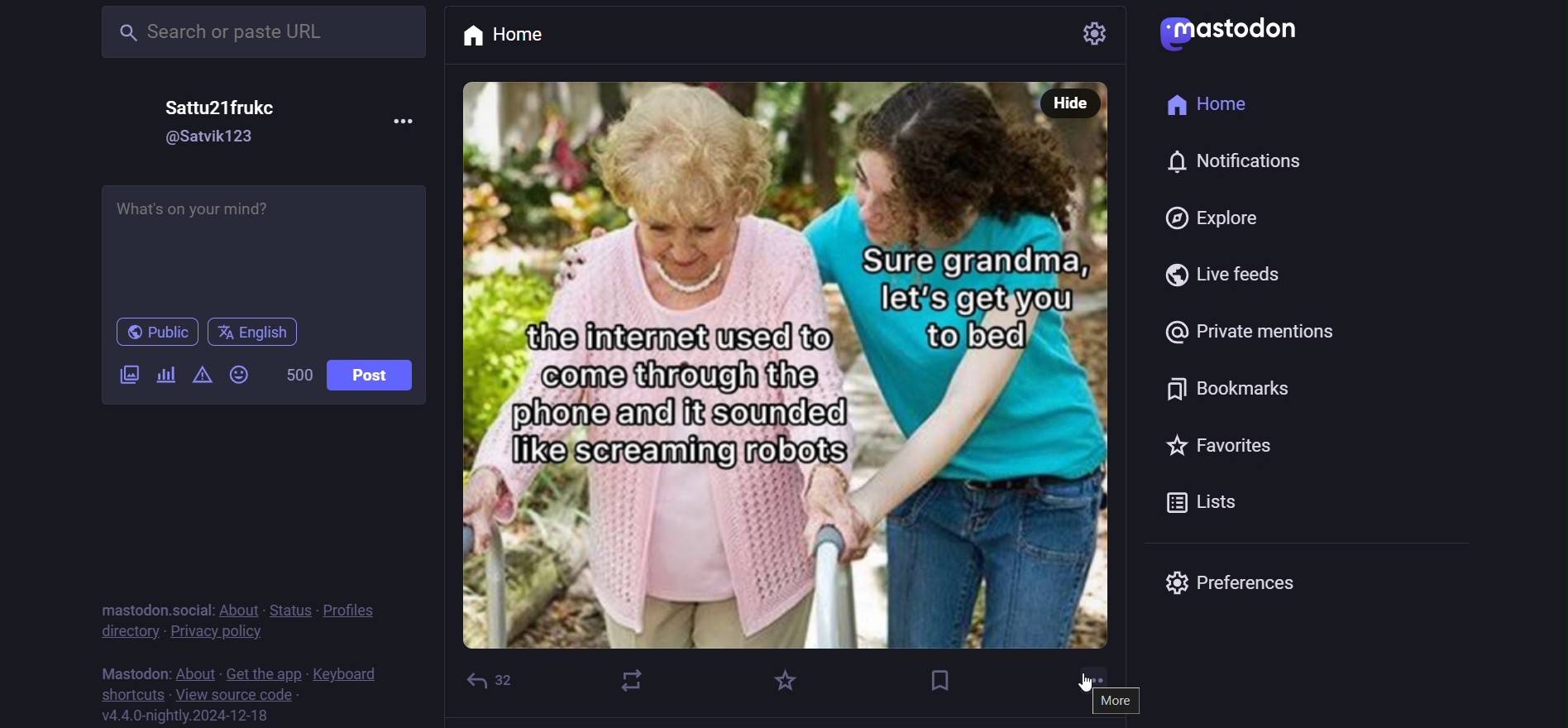  What do you see at coordinates (343, 674) in the screenshot?
I see `keyboard` at bounding box center [343, 674].